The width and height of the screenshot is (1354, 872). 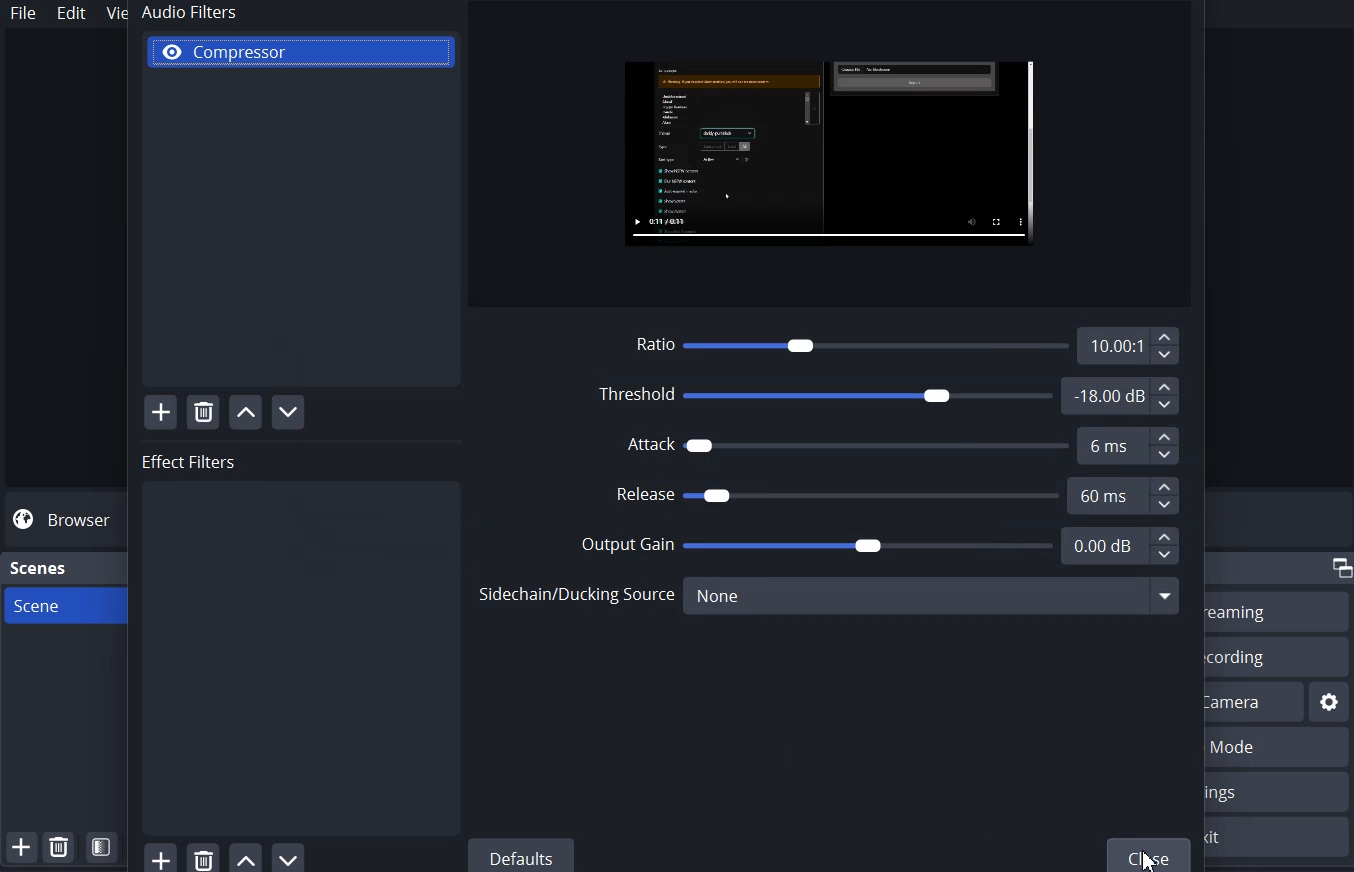 What do you see at coordinates (1279, 837) in the screenshot?
I see `Exit` at bounding box center [1279, 837].